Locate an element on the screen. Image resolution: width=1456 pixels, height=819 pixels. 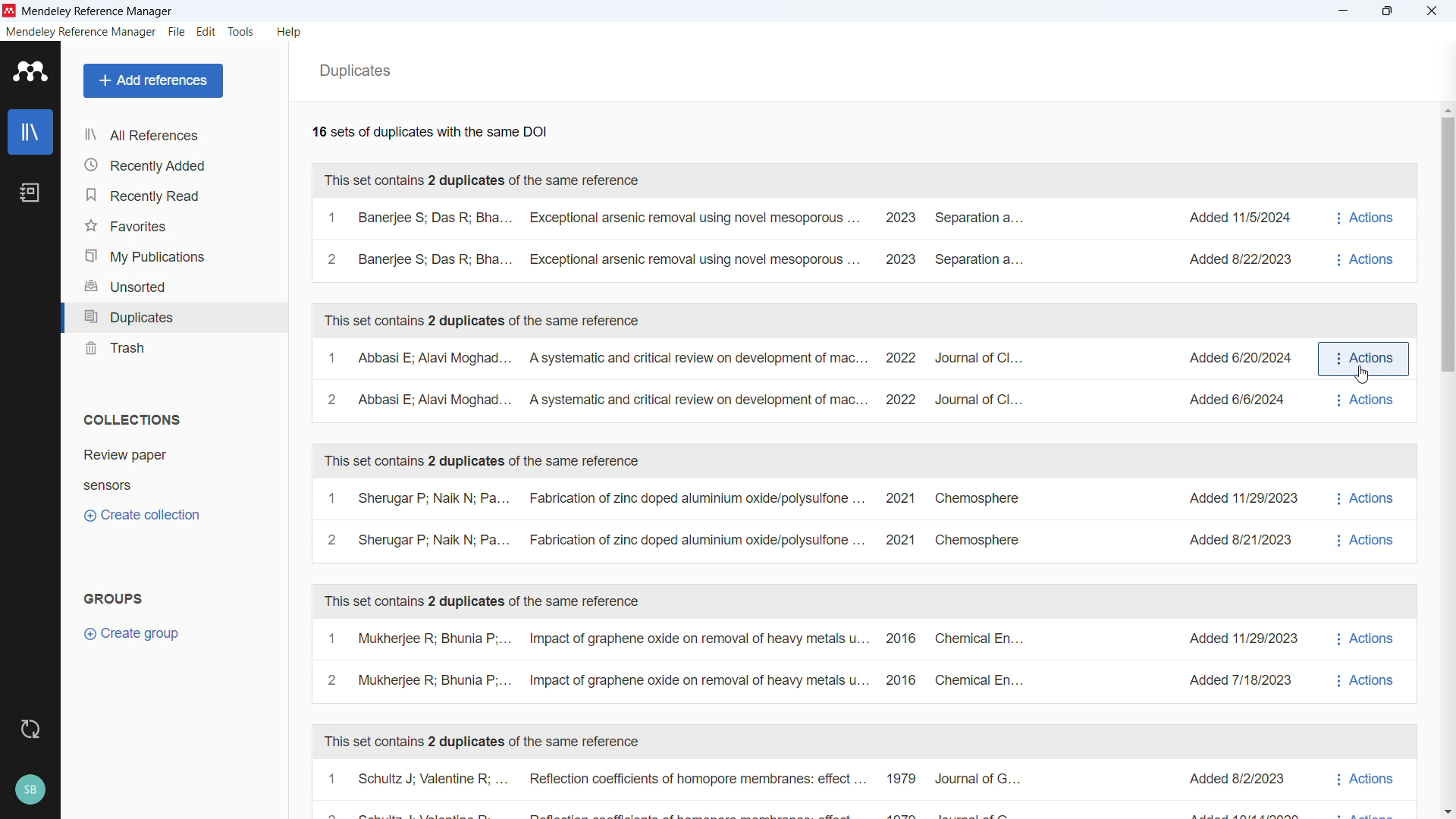
all references is located at coordinates (172, 135).